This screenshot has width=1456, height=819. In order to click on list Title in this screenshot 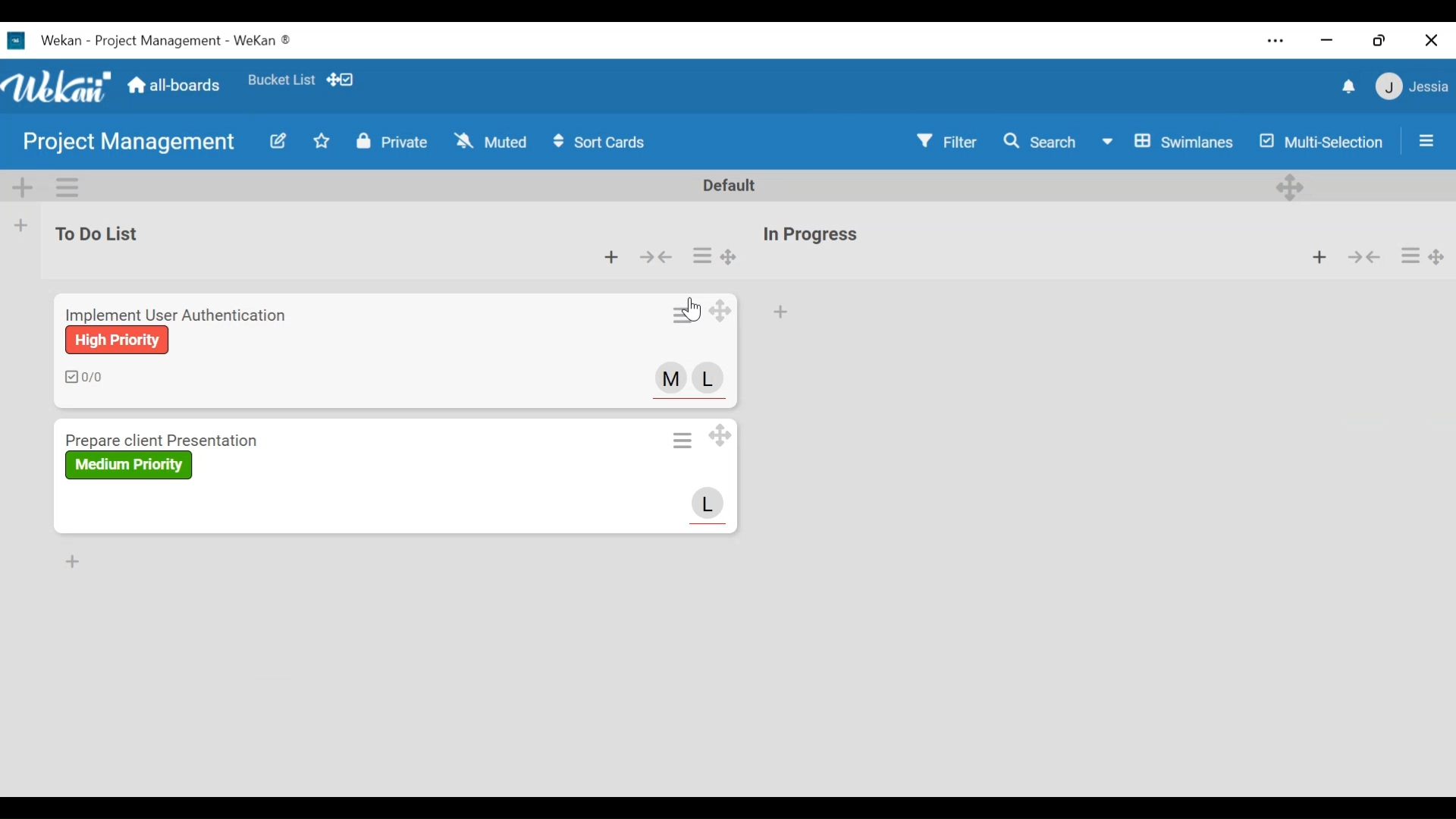, I will do `click(99, 231)`.